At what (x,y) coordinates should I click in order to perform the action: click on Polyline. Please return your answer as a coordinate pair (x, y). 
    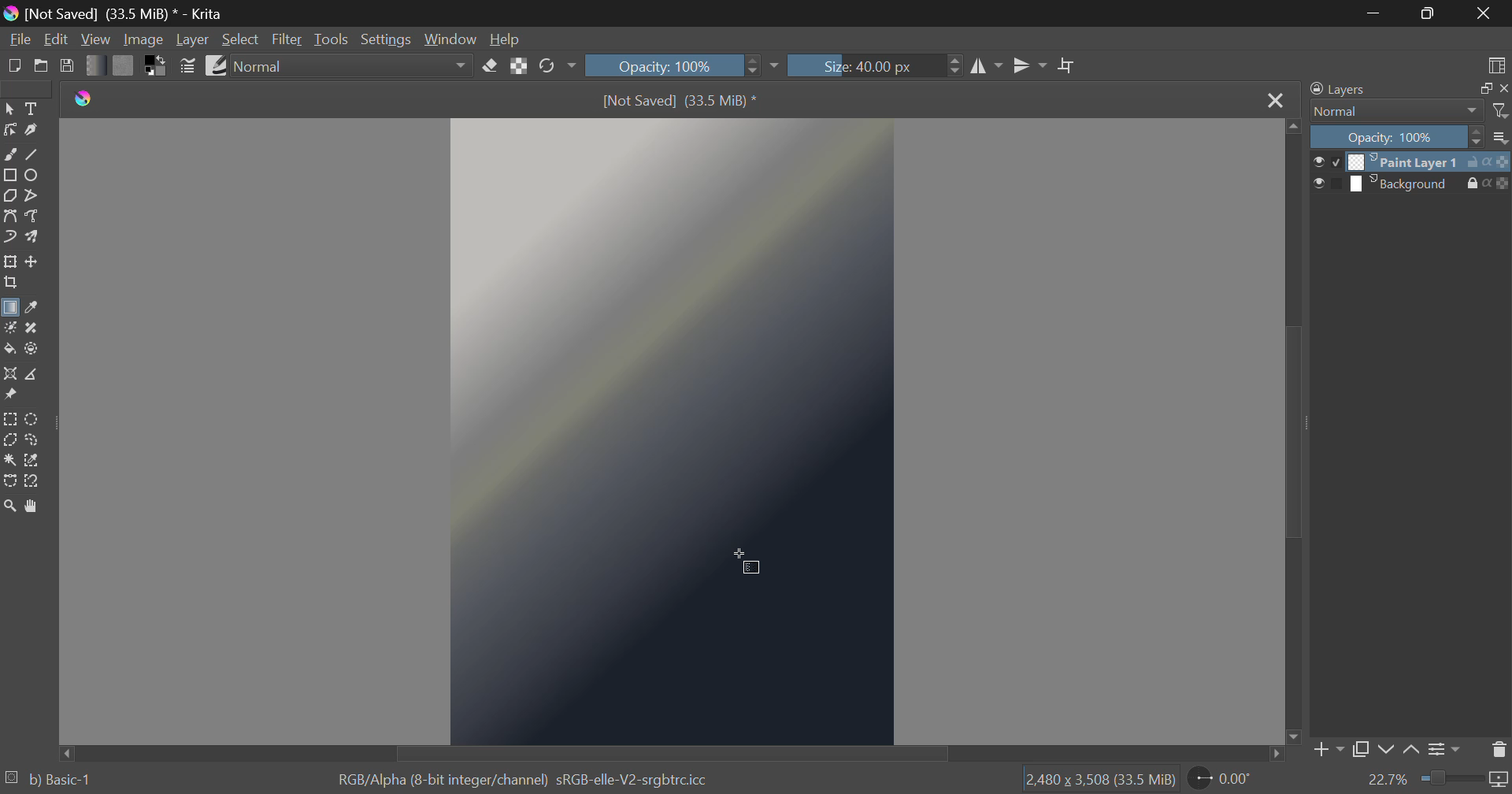
    Looking at the image, I should click on (30, 194).